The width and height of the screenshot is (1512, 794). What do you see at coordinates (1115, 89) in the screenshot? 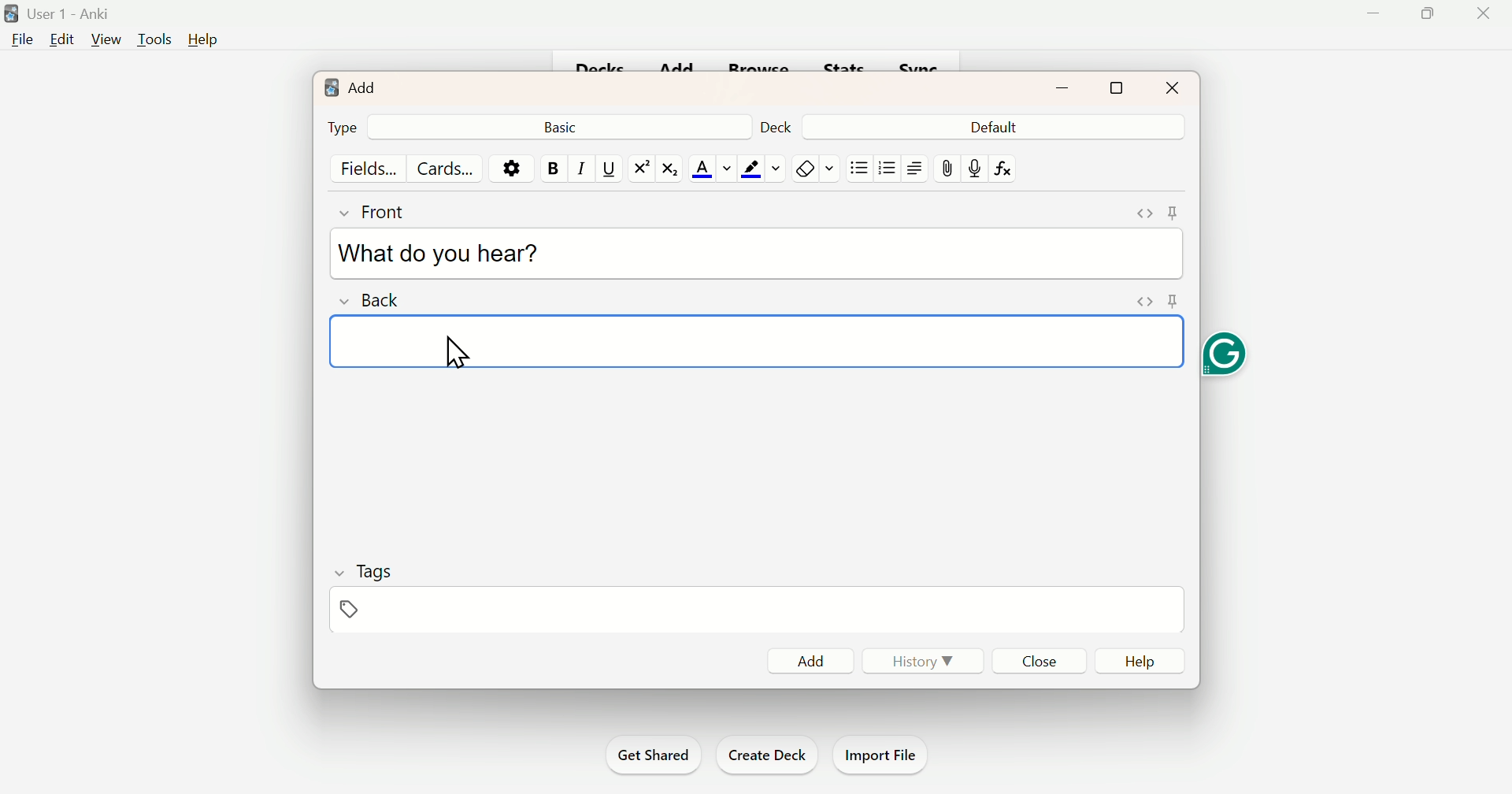
I see `maximize` at bounding box center [1115, 89].